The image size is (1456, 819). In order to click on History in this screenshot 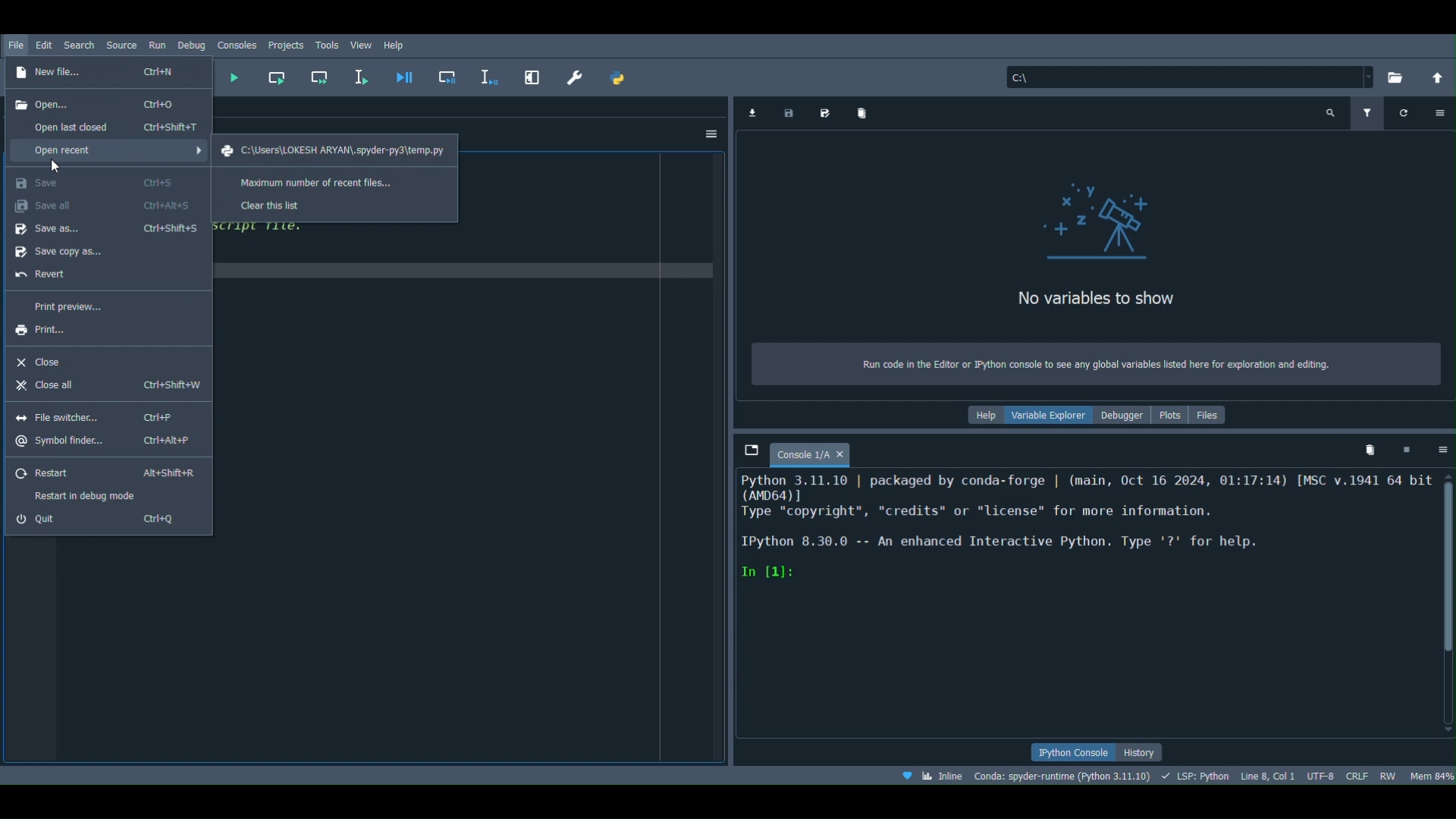, I will do `click(1141, 750)`.